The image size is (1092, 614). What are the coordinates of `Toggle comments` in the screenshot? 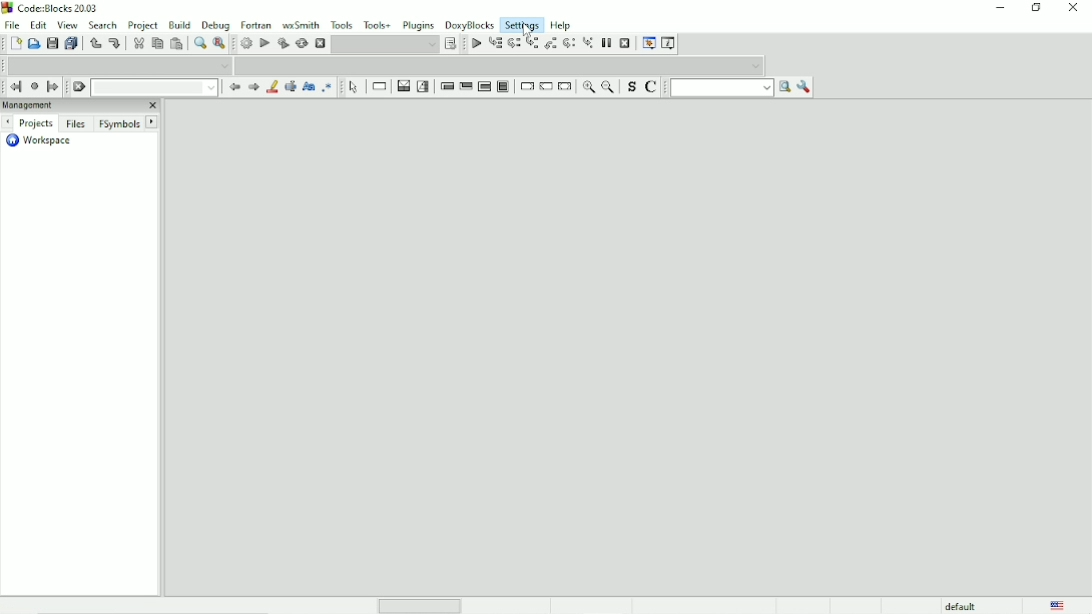 It's located at (655, 88).